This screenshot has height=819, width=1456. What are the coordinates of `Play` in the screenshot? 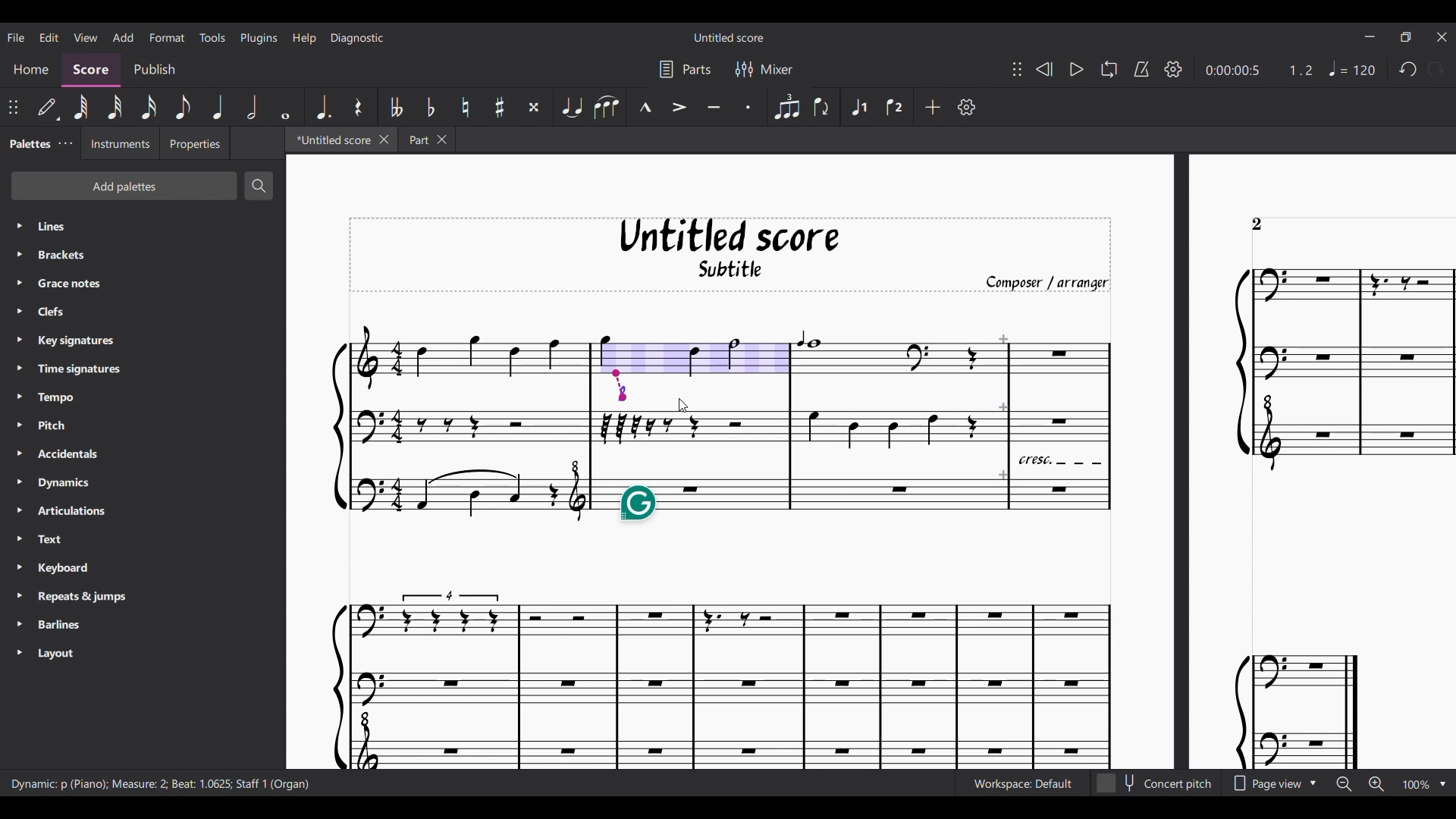 It's located at (1077, 69).